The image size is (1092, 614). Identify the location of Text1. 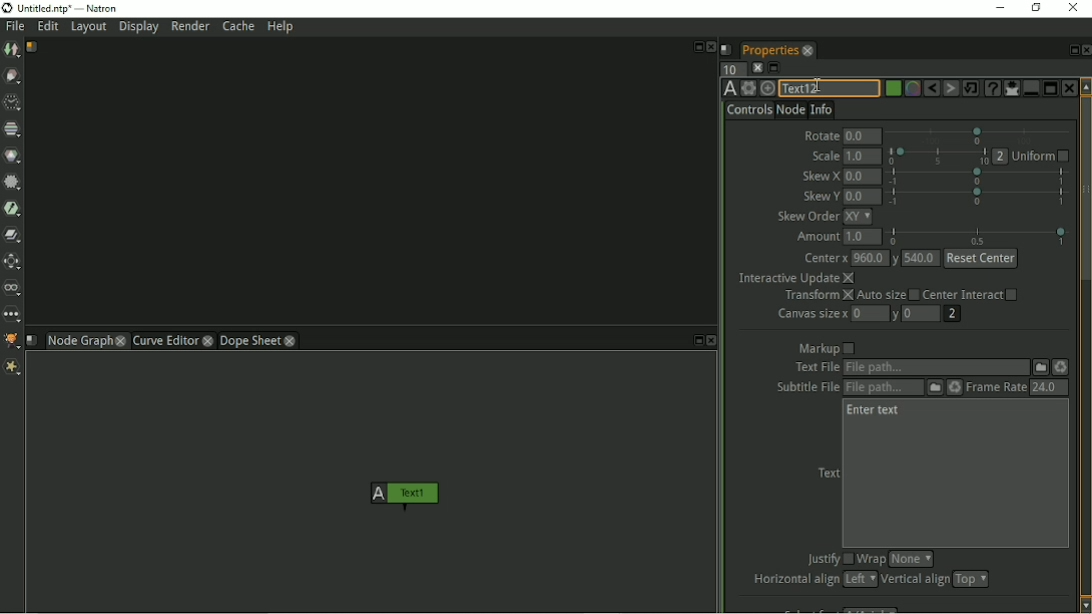
(401, 496).